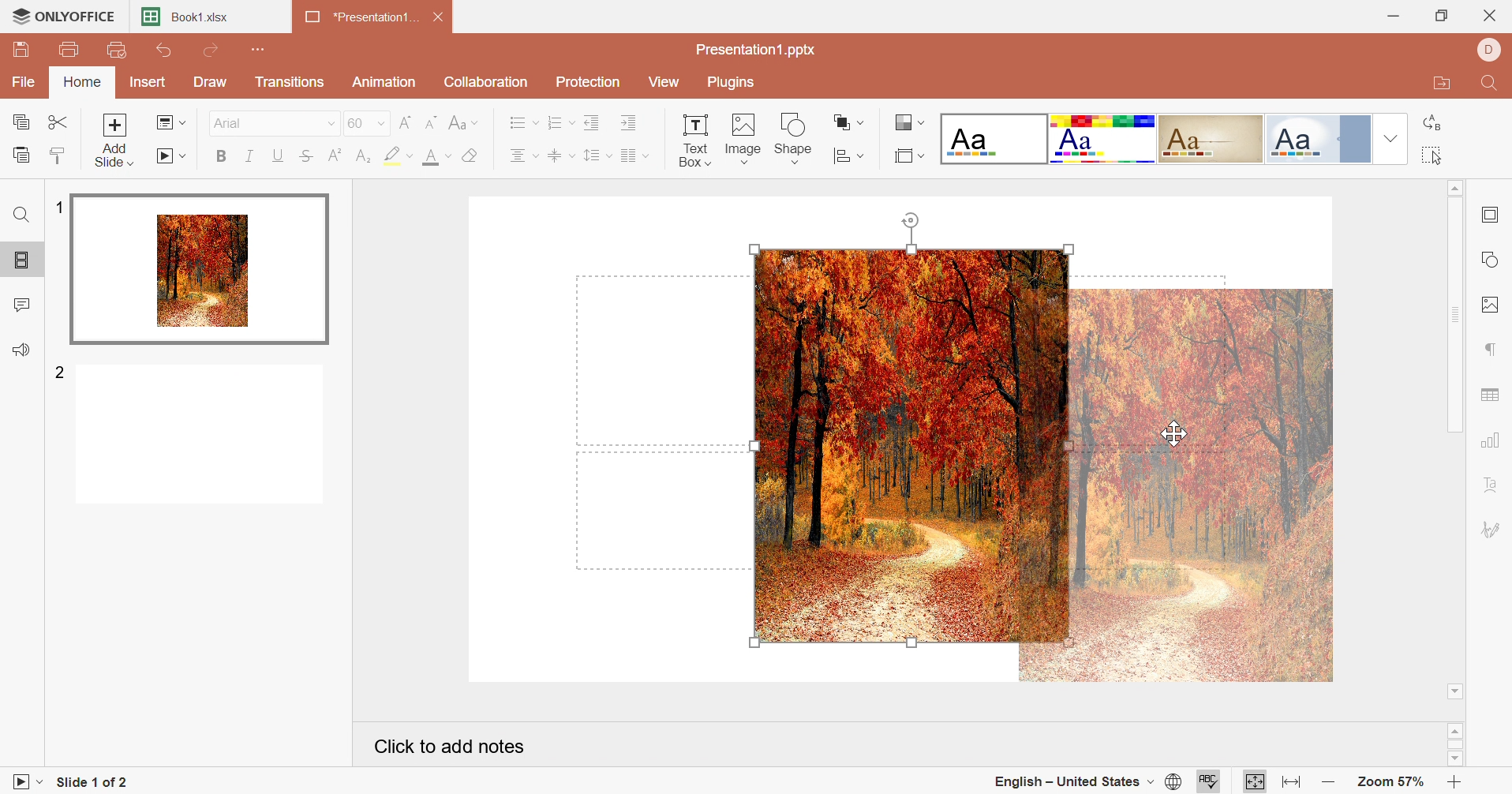 This screenshot has width=1512, height=794. I want to click on Bold, so click(219, 159).